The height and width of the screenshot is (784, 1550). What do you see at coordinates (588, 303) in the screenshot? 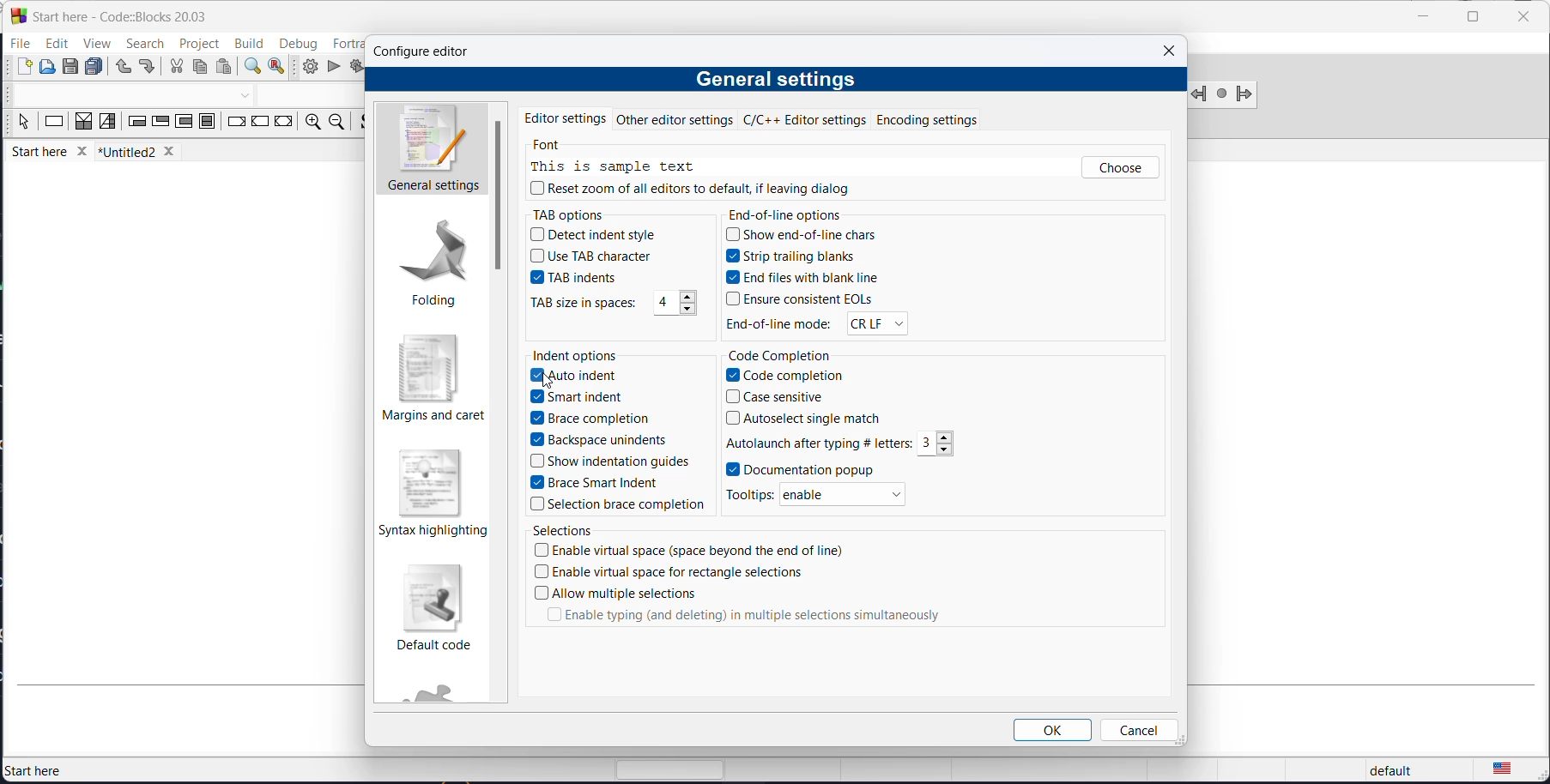
I see `tab size in spaces` at bounding box center [588, 303].